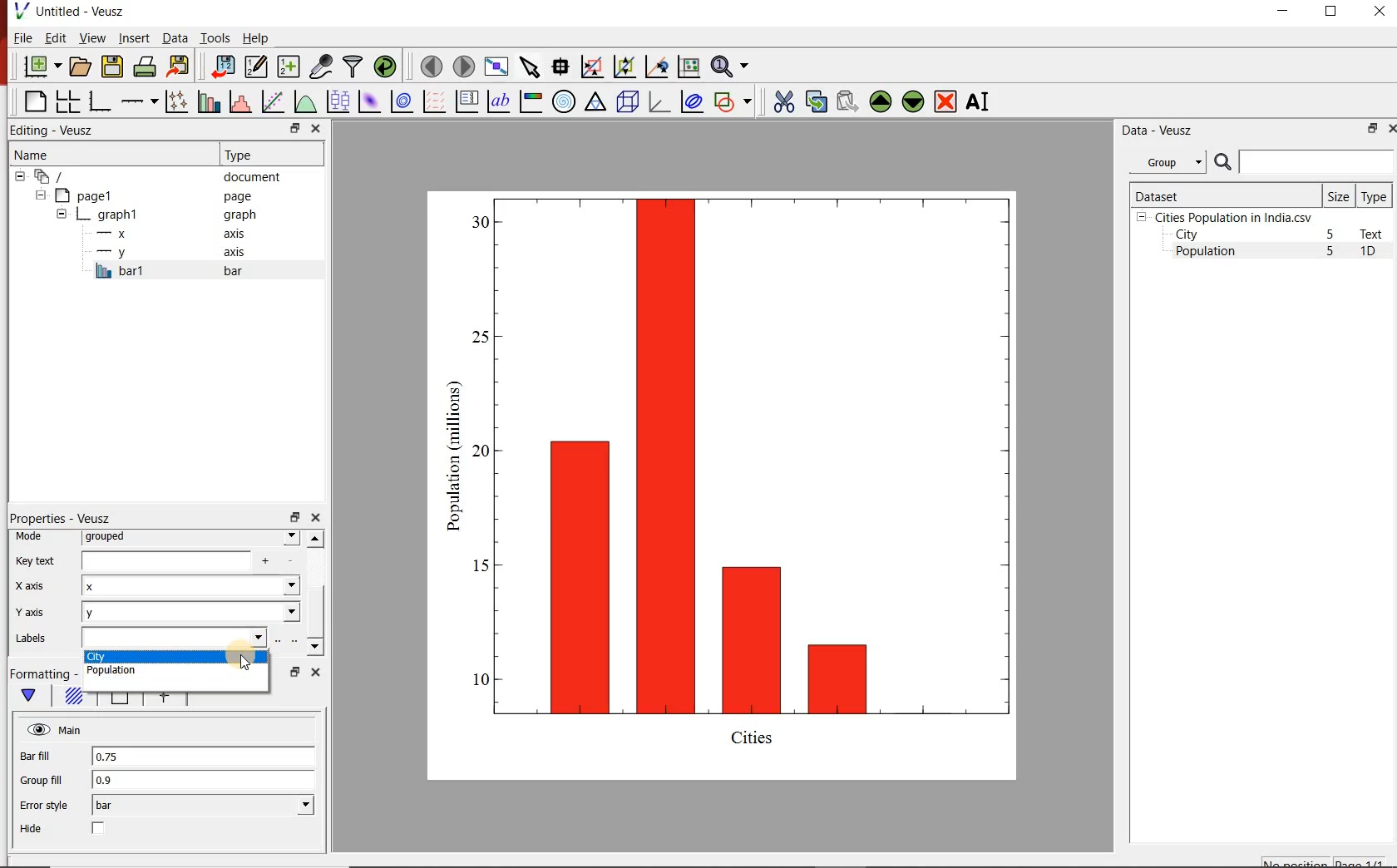 Image resolution: width=1397 pixels, height=868 pixels. What do you see at coordinates (33, 829) in the screenshot?
I see `Hide` at bounding box center [33, 829].